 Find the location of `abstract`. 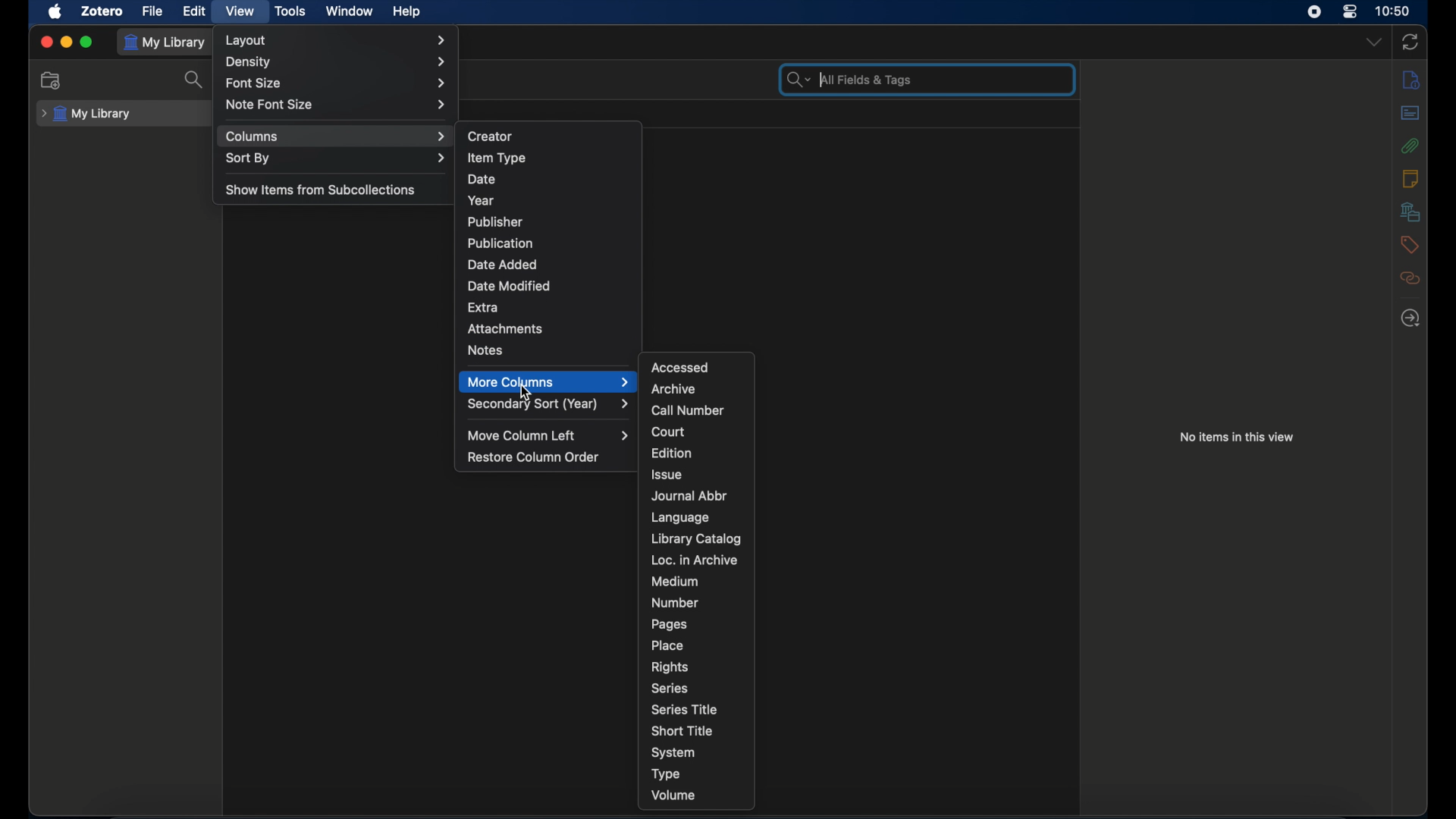

abstract is located at coordinates (1411, 112).